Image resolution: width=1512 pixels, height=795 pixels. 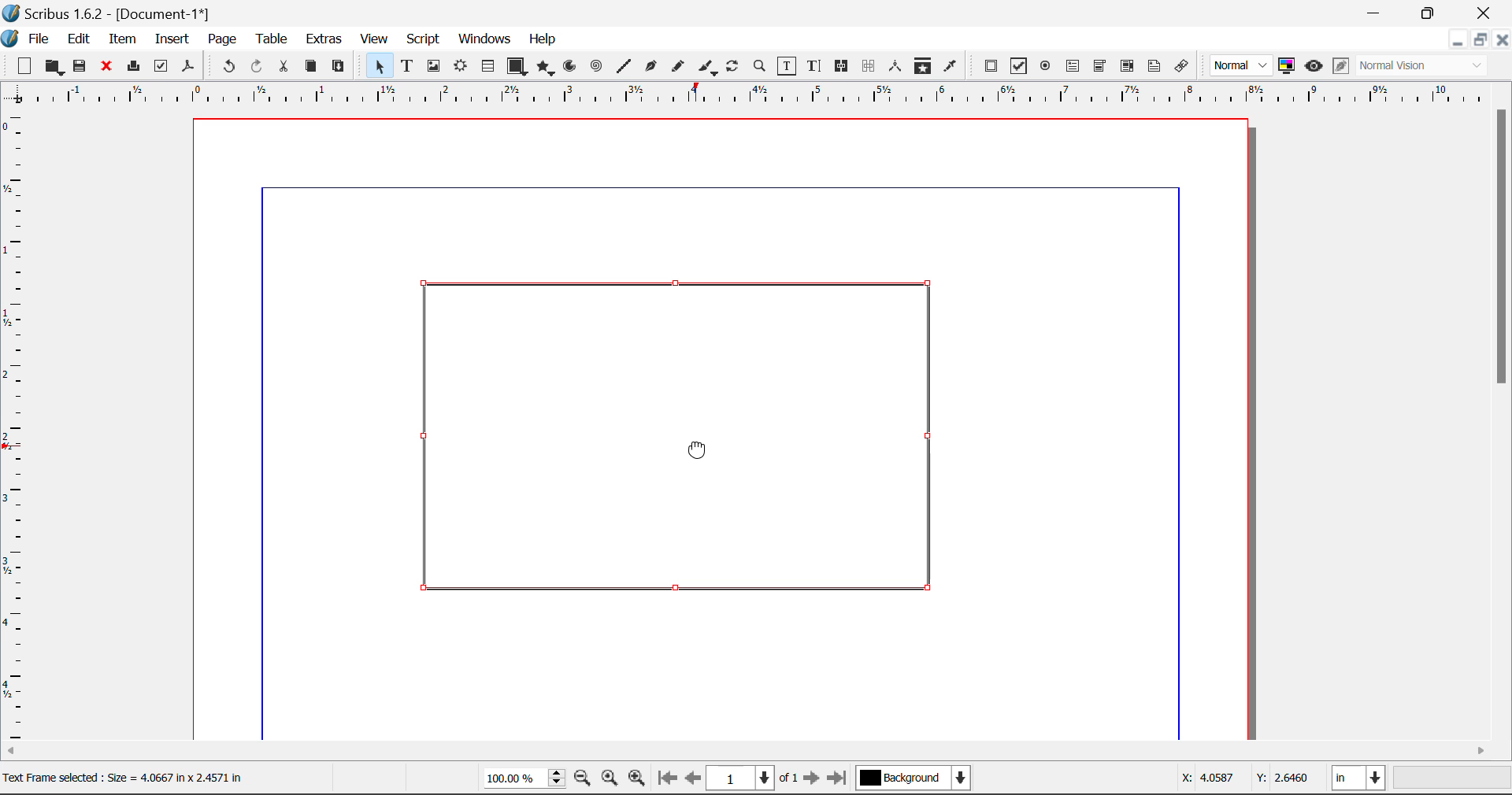 I want to click on Preview Mode, so click(x=1242, y=66).